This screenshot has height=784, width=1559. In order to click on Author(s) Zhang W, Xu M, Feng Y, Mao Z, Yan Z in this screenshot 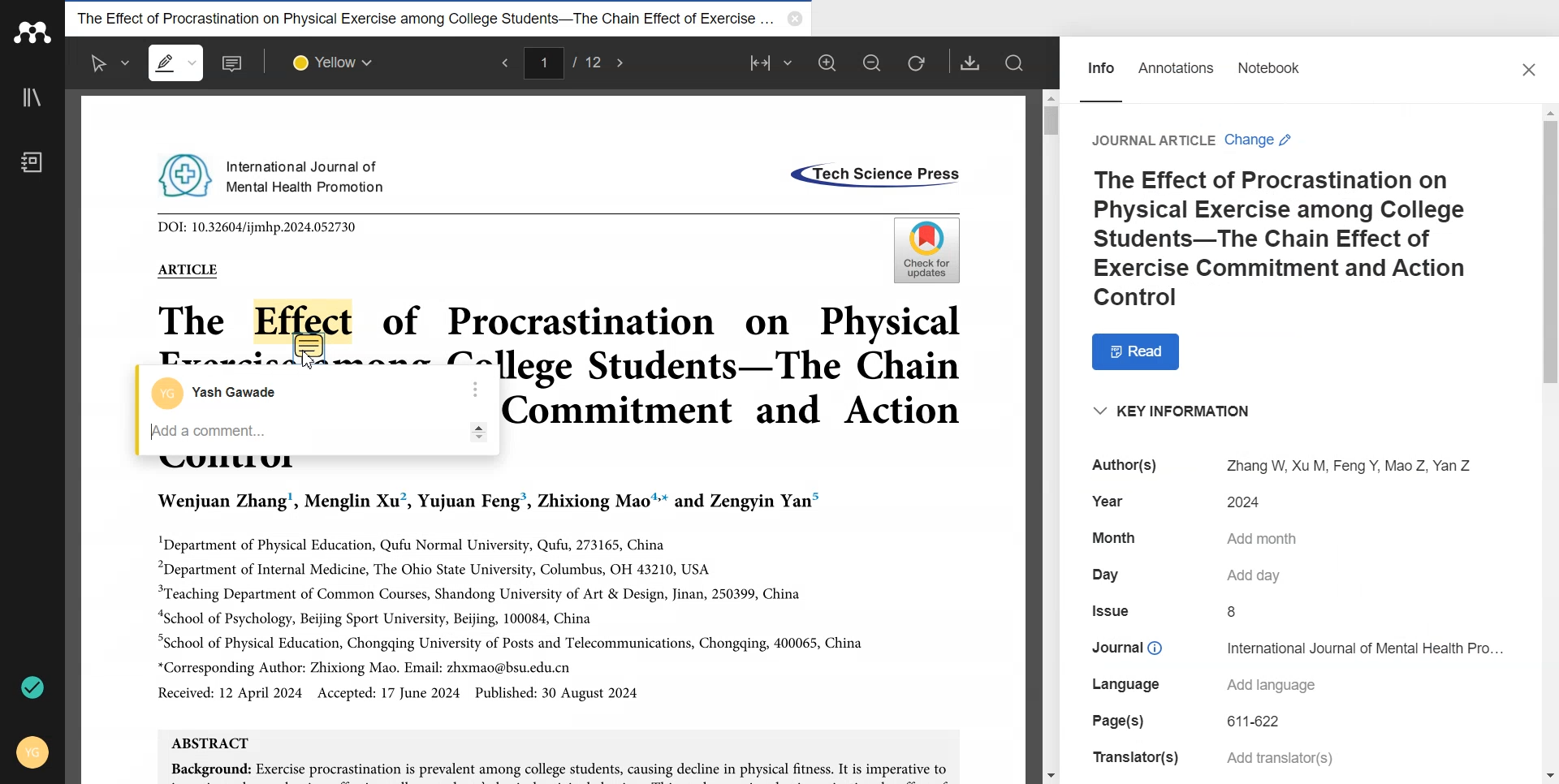, I will do `click(1273, 465)`.